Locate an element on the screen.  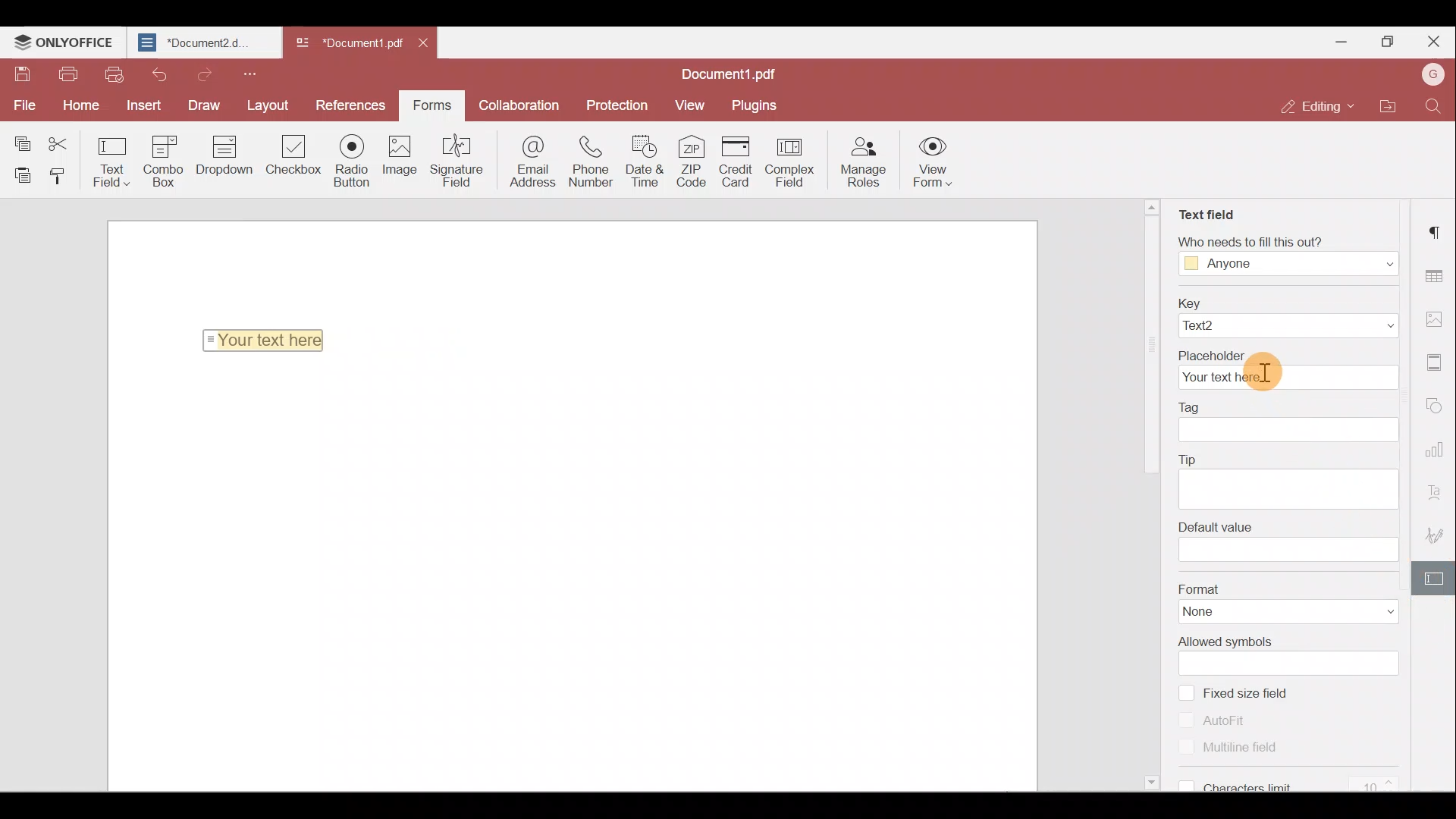
Redo is located at coordinates (204, 74).